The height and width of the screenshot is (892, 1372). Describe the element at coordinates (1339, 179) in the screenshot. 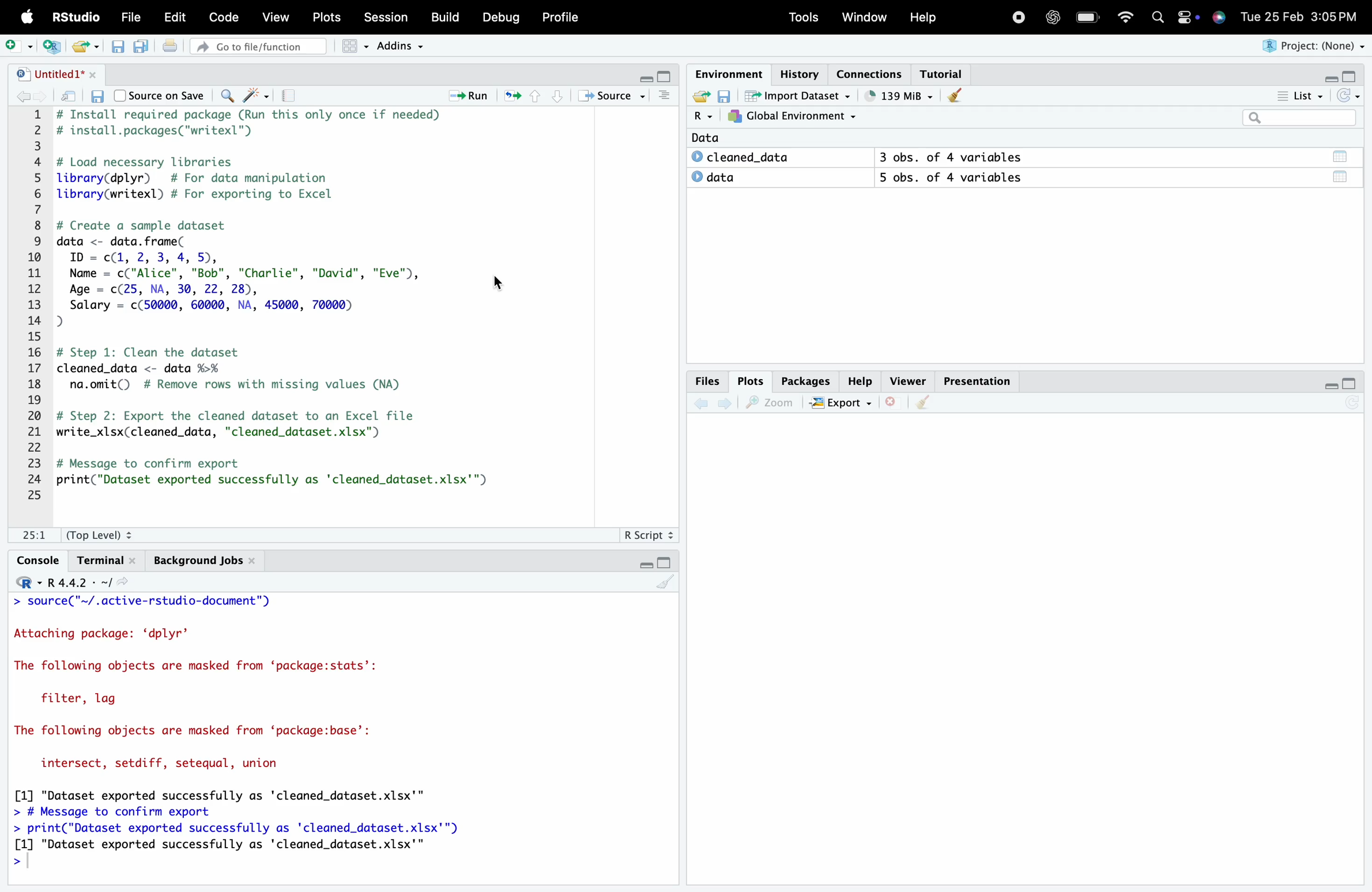

I see `Data/Table` at that location.